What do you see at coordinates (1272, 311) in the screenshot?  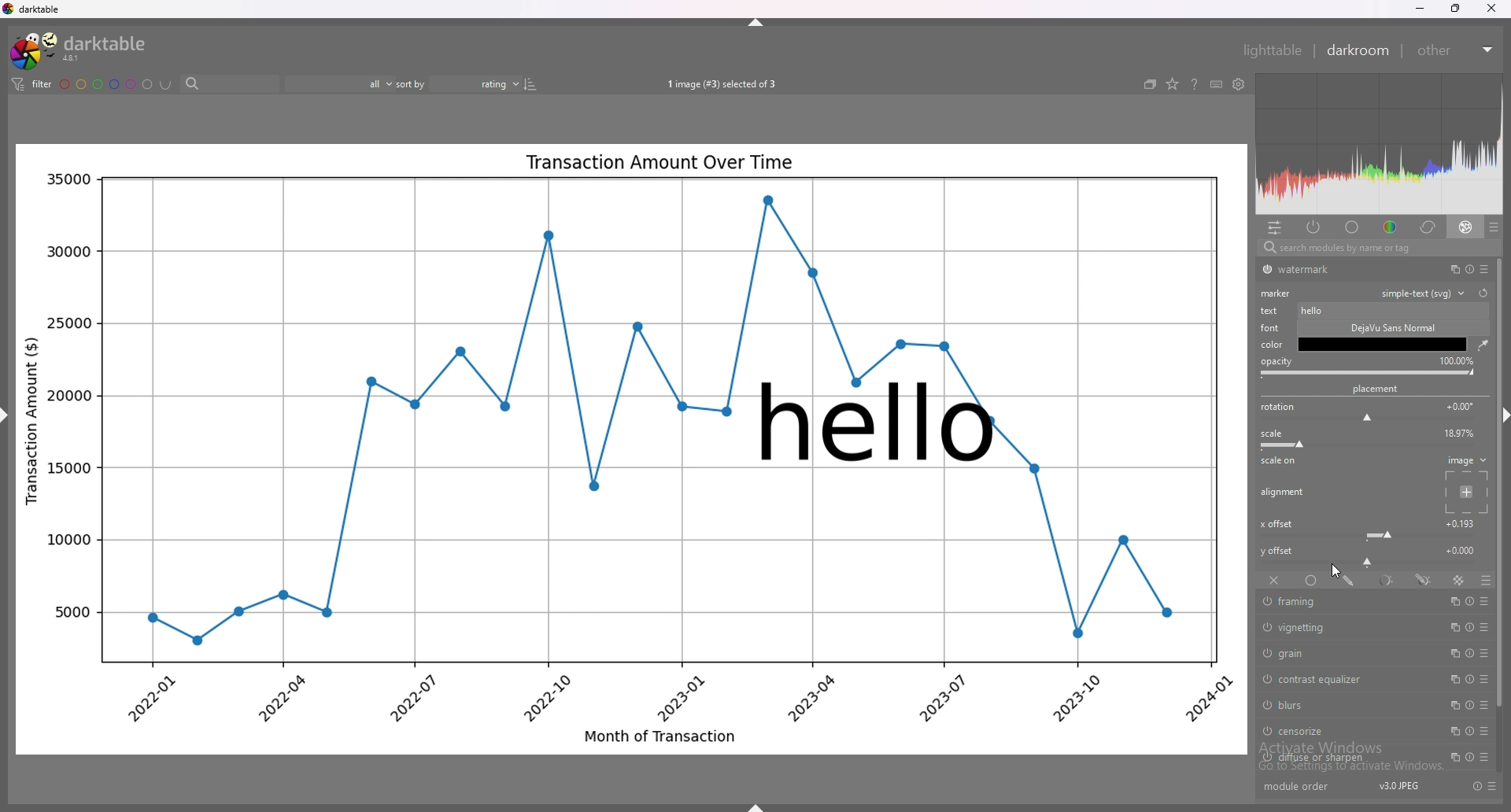 I see `text` at bounding box center [1272, 311].